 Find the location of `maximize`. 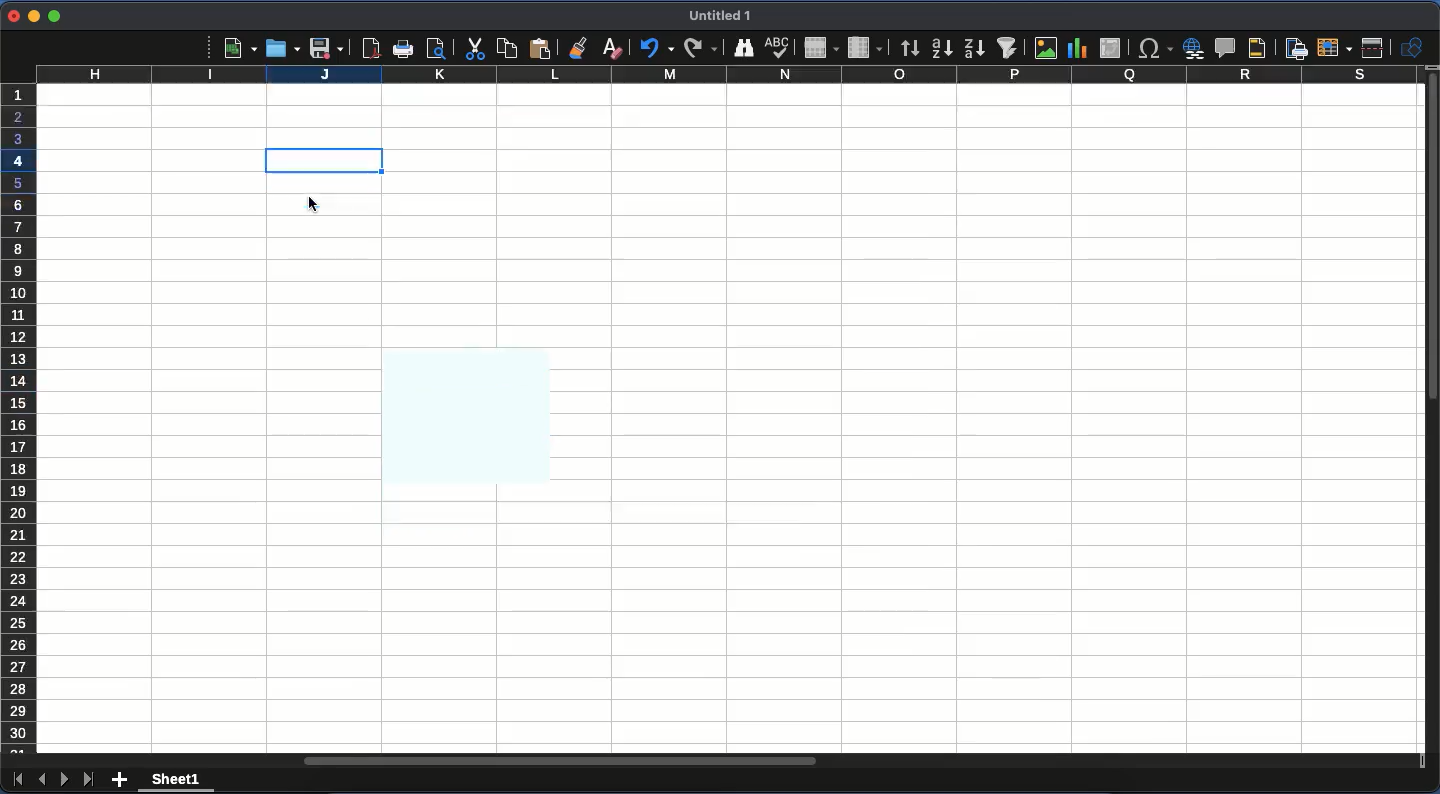

maximize is located at coordinates (52, 17).